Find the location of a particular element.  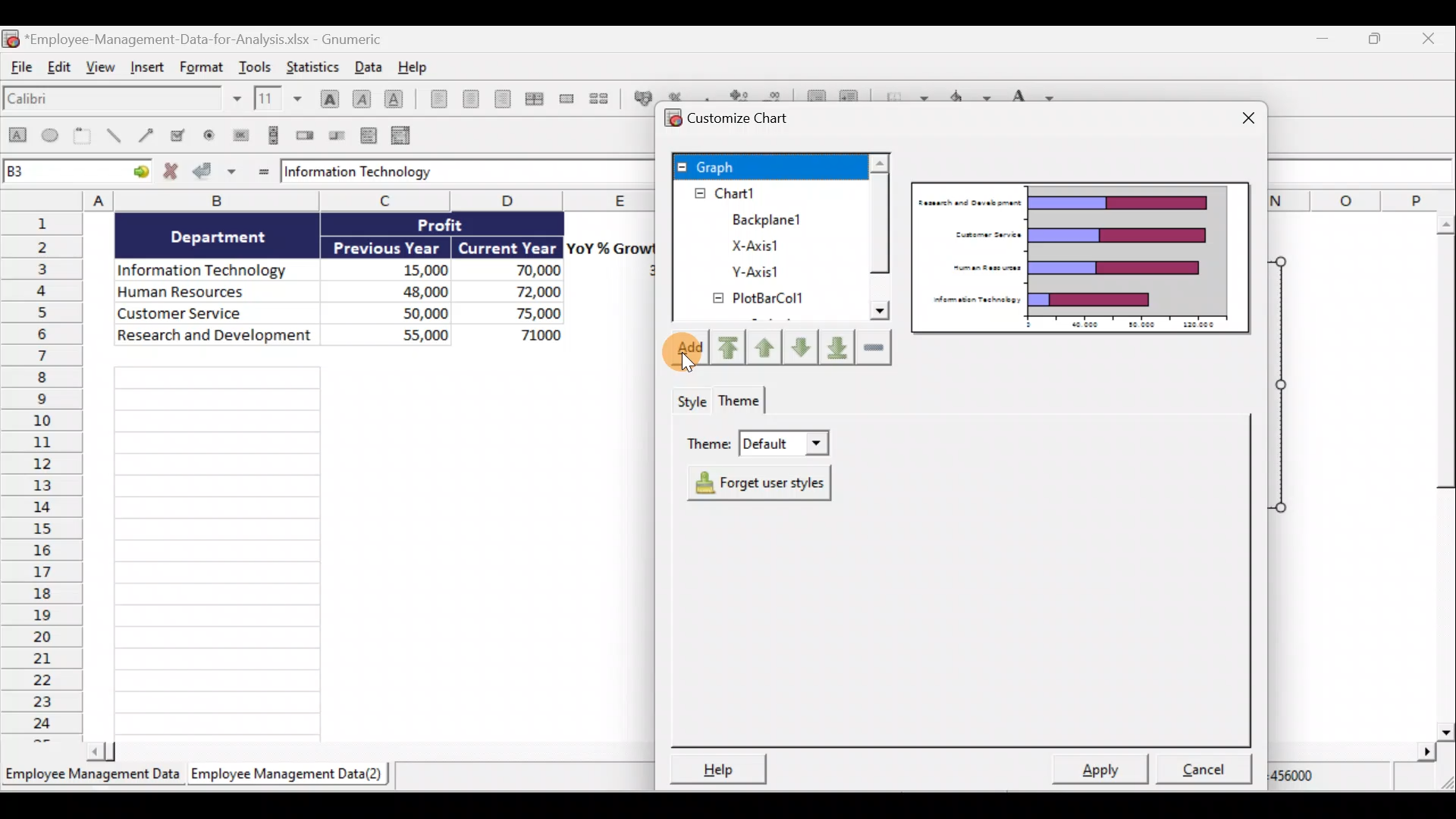

Remove is located at coordinates (873, 347).